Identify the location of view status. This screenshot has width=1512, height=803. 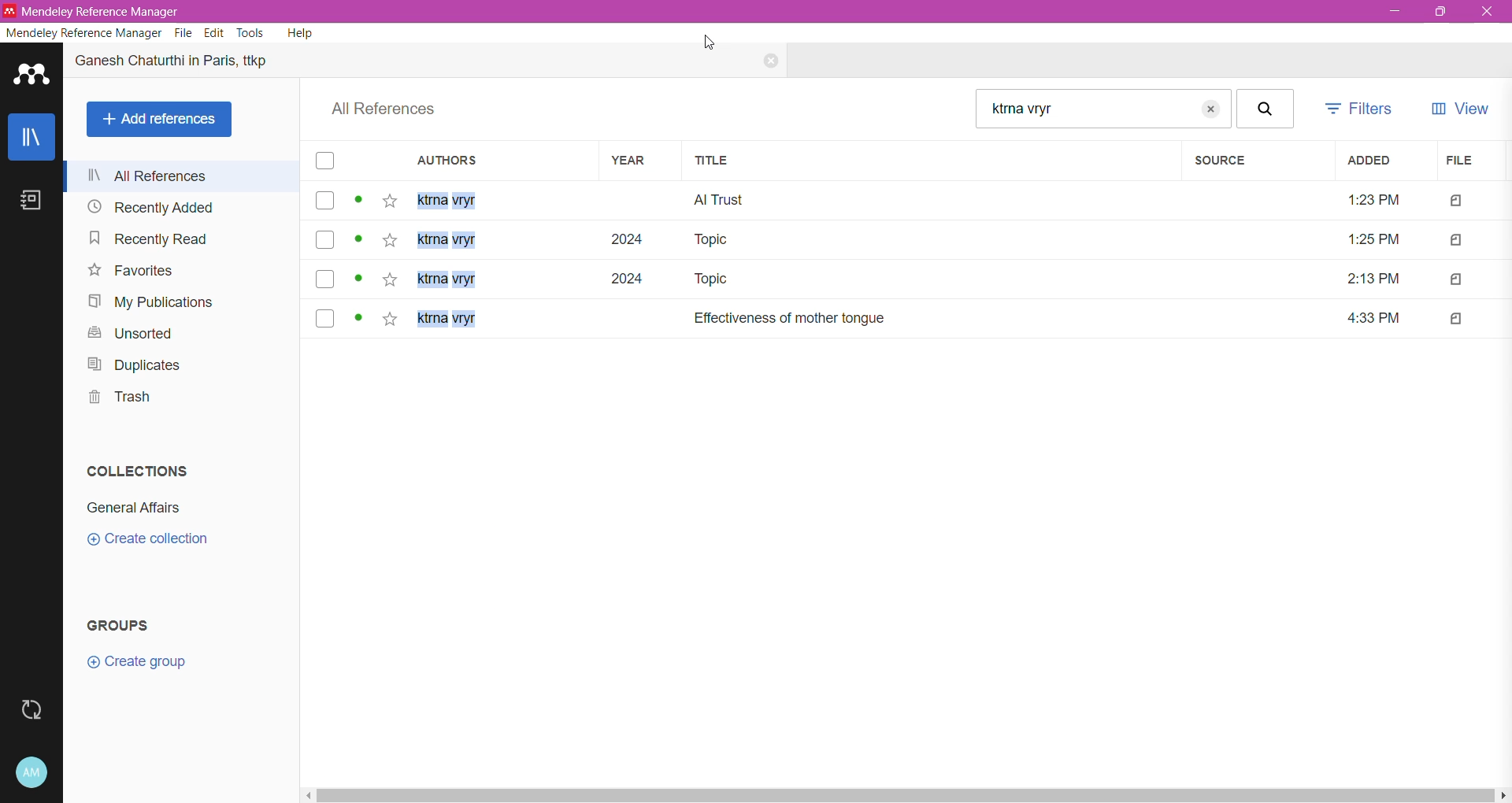
(359, 279).